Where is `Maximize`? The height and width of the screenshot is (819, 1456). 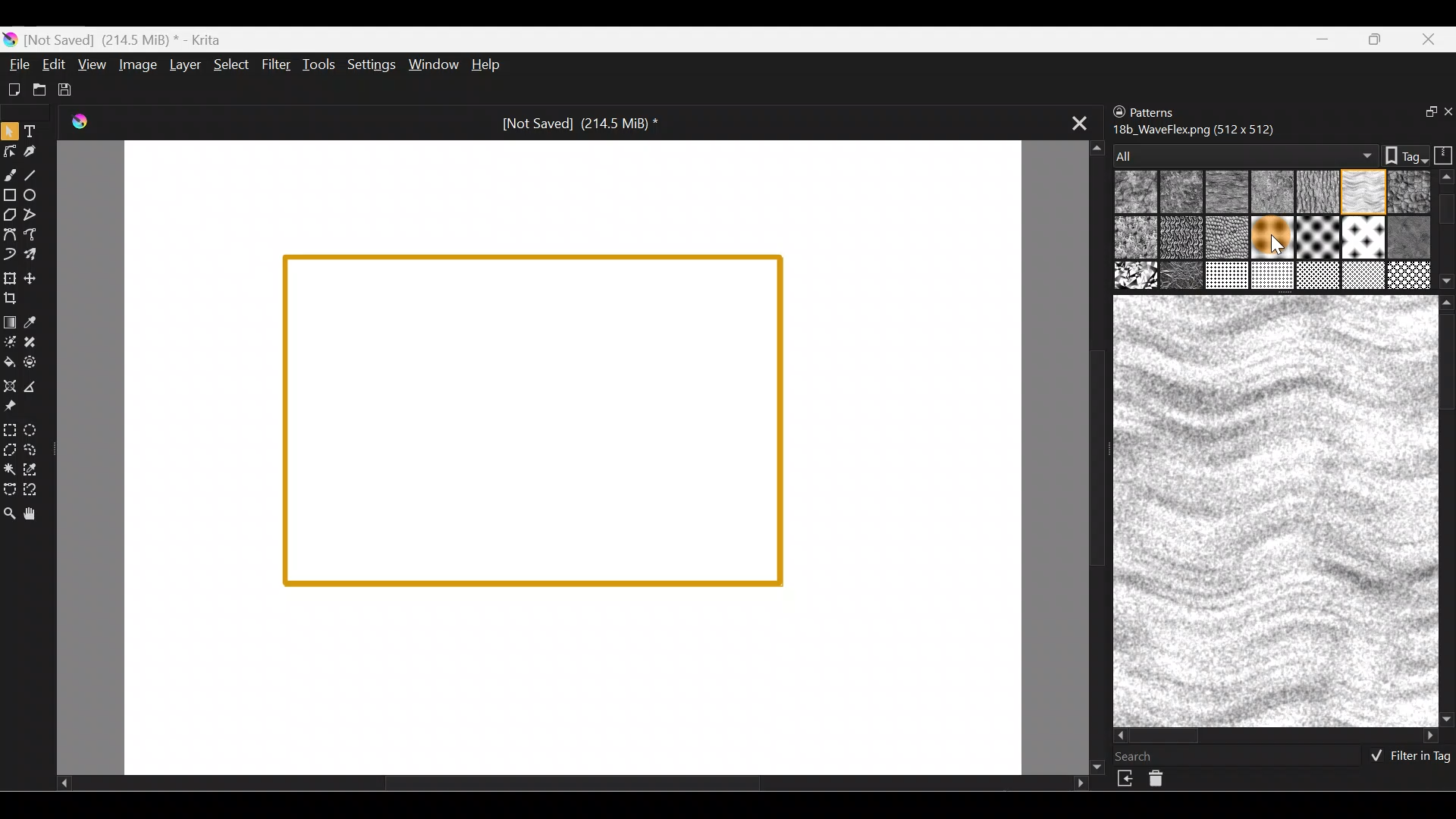 Maximize is located at coordinates (1379, 39).